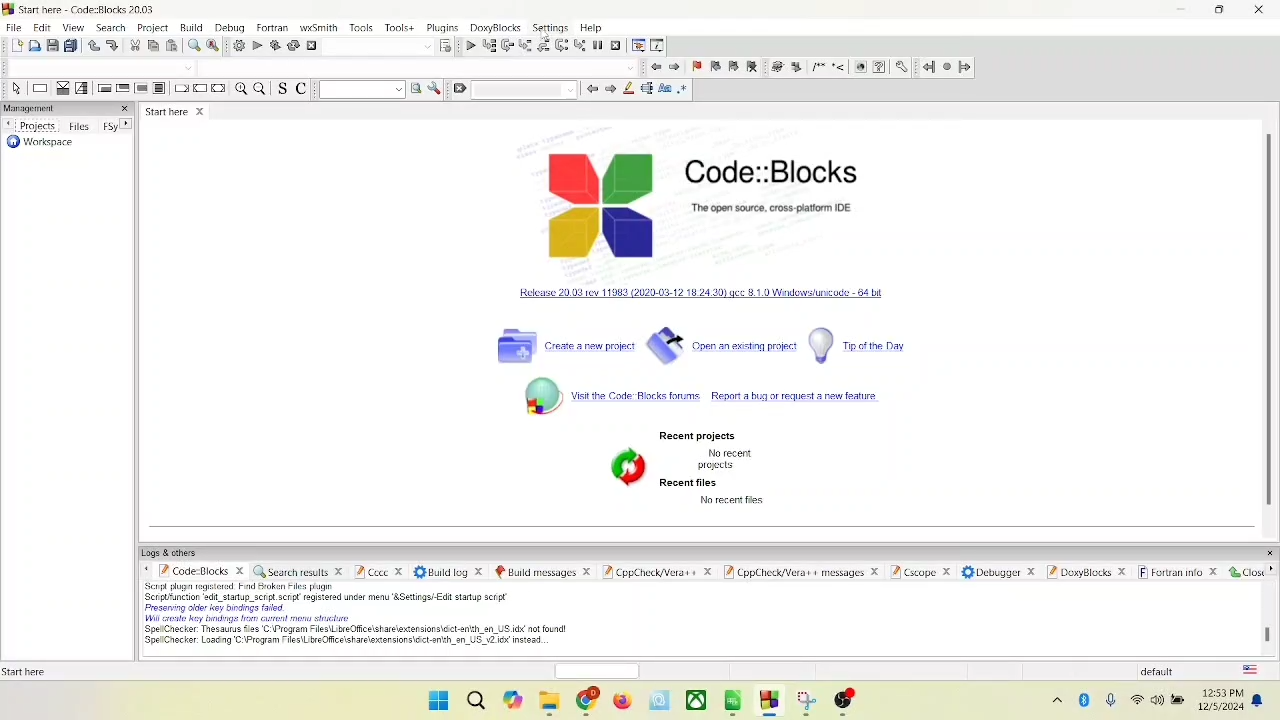 The height and width of the screenshot is (720, 1280). Describe the element at coordinates (733, 65) in the screenshot. I see `next bookmark` at that location.